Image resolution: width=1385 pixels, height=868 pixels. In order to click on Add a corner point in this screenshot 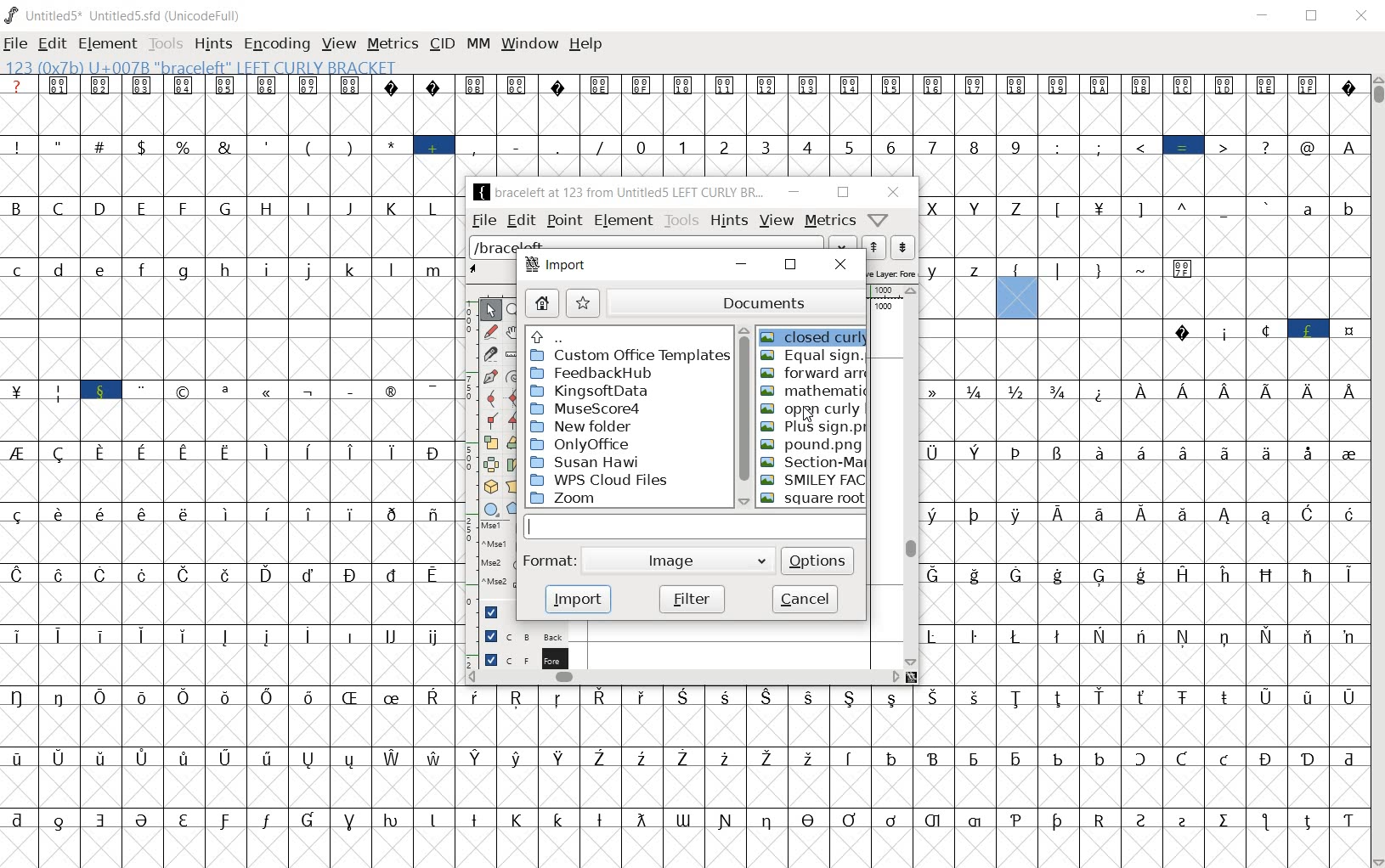, I will do `click(513, 421)`.